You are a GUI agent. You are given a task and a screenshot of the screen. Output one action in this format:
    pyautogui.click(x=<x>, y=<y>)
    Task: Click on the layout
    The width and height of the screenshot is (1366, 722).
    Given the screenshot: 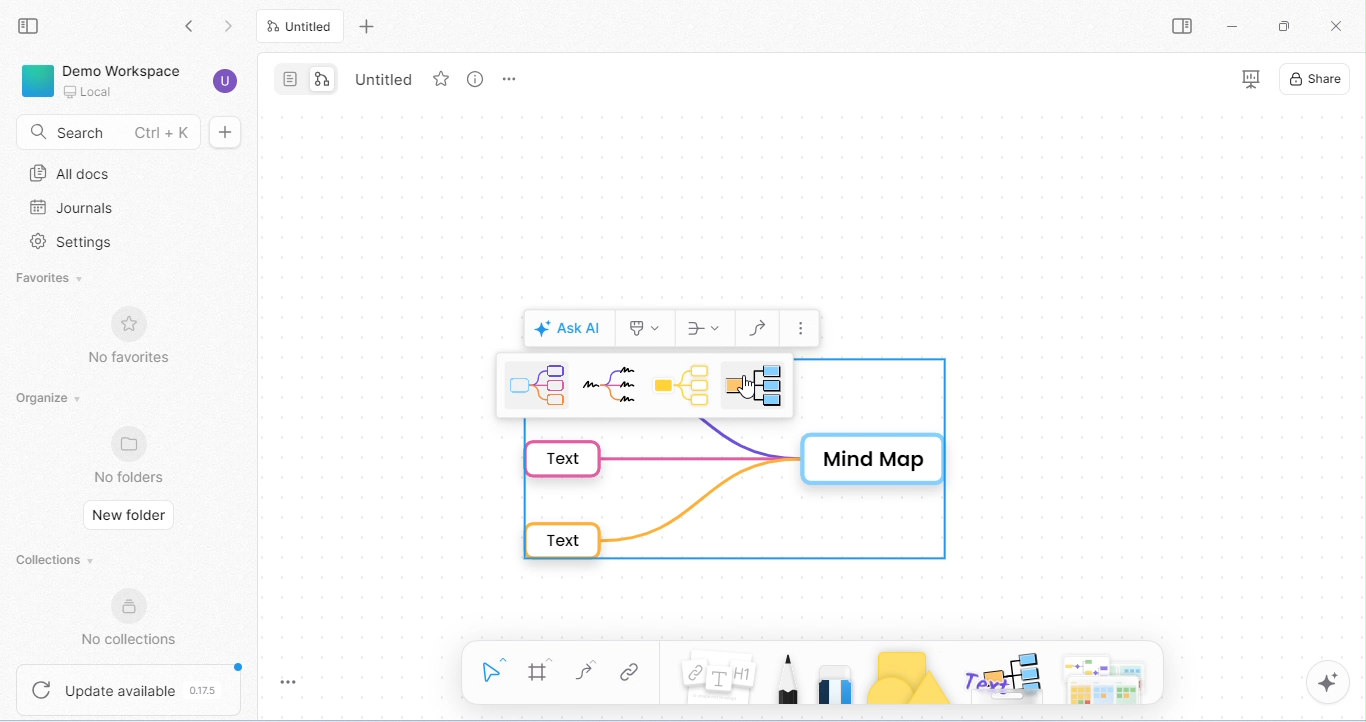 What is the action you would take?
    pyautogui.click(x=703, y=329)
    